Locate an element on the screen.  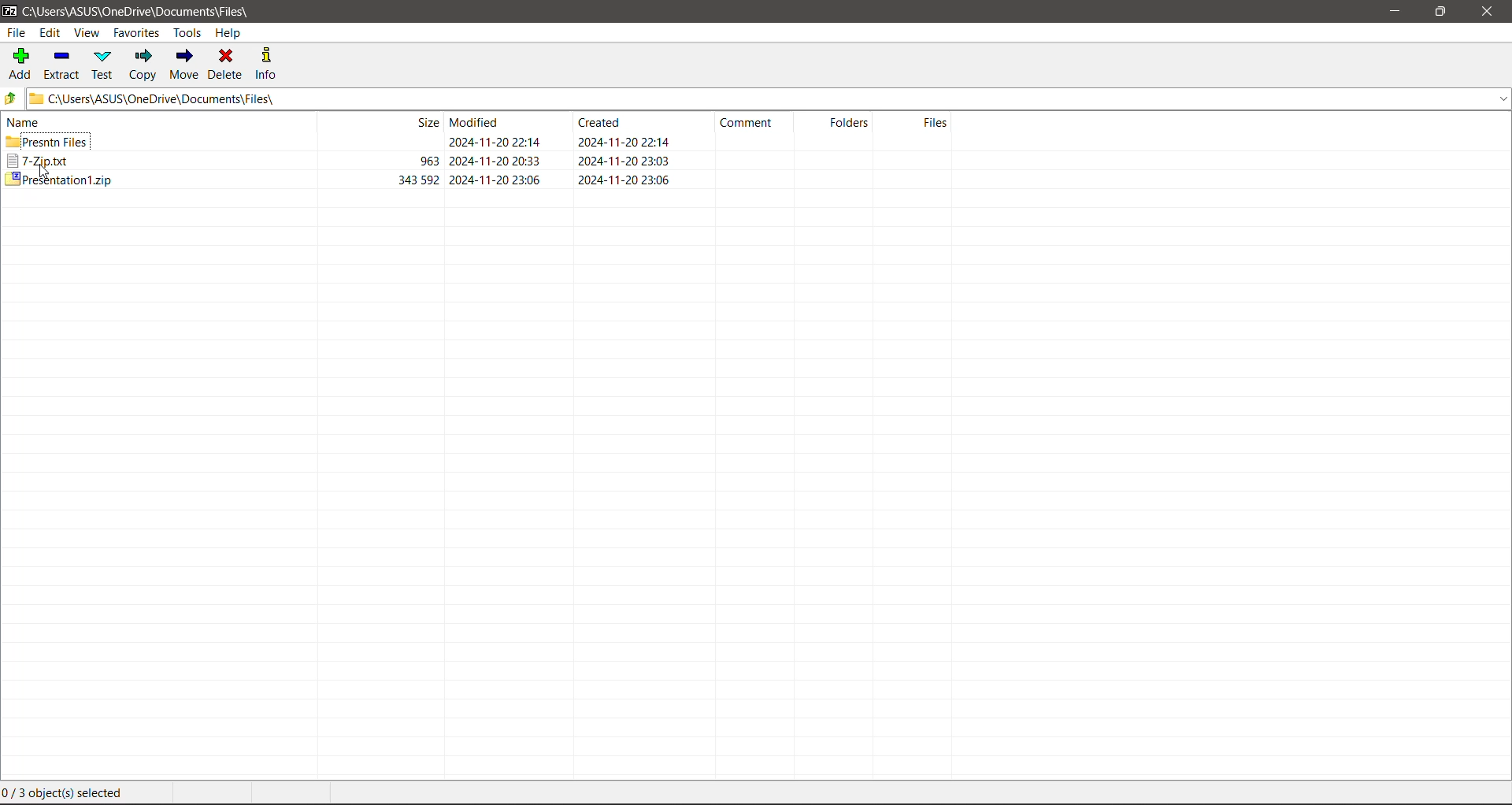
Current Folder Path is located at coordinates (767, 99).